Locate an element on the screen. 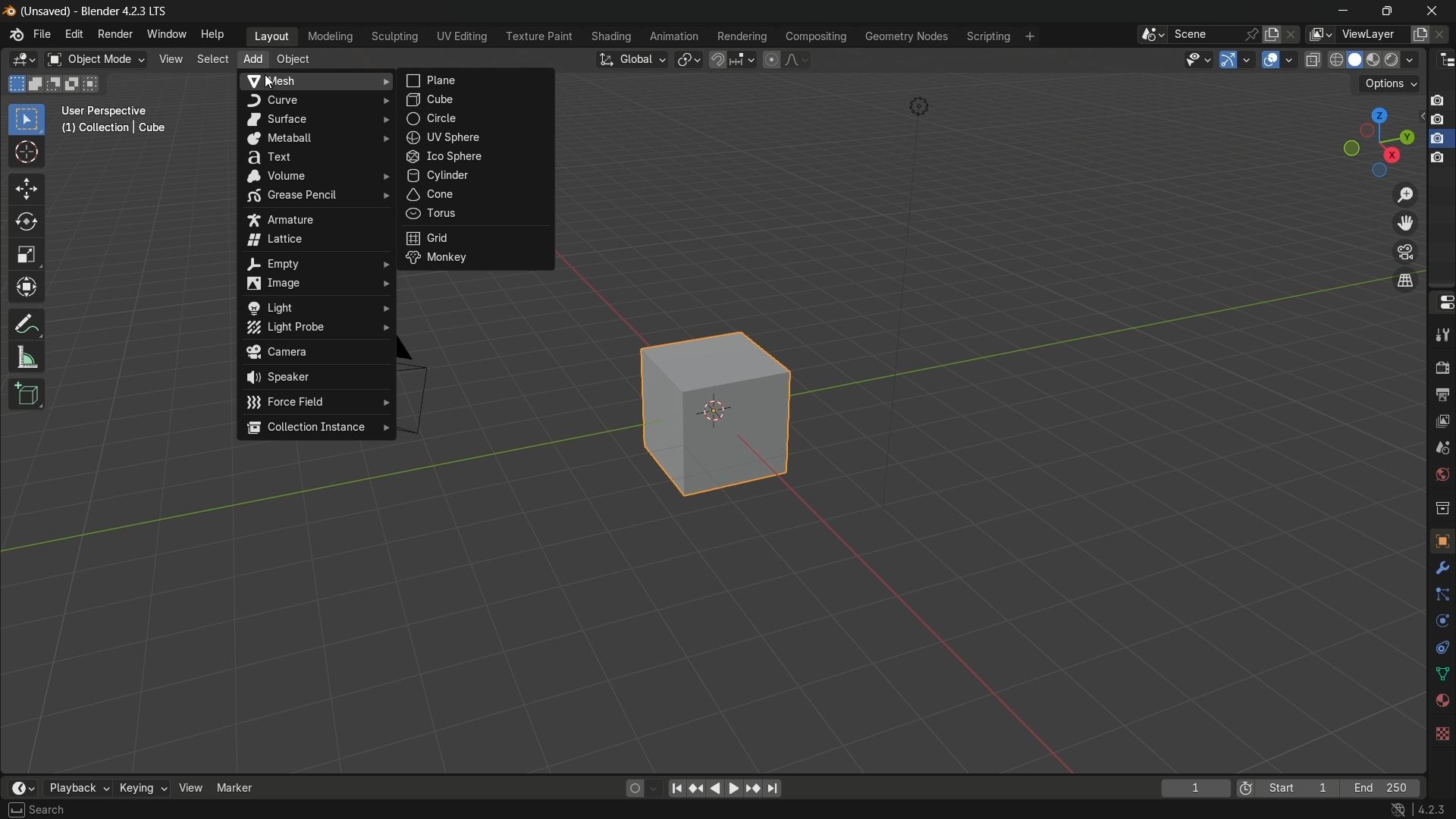 The height and width of the screenshot is (819, 1456). maximize or restore is located at coordinates (1388, 11).